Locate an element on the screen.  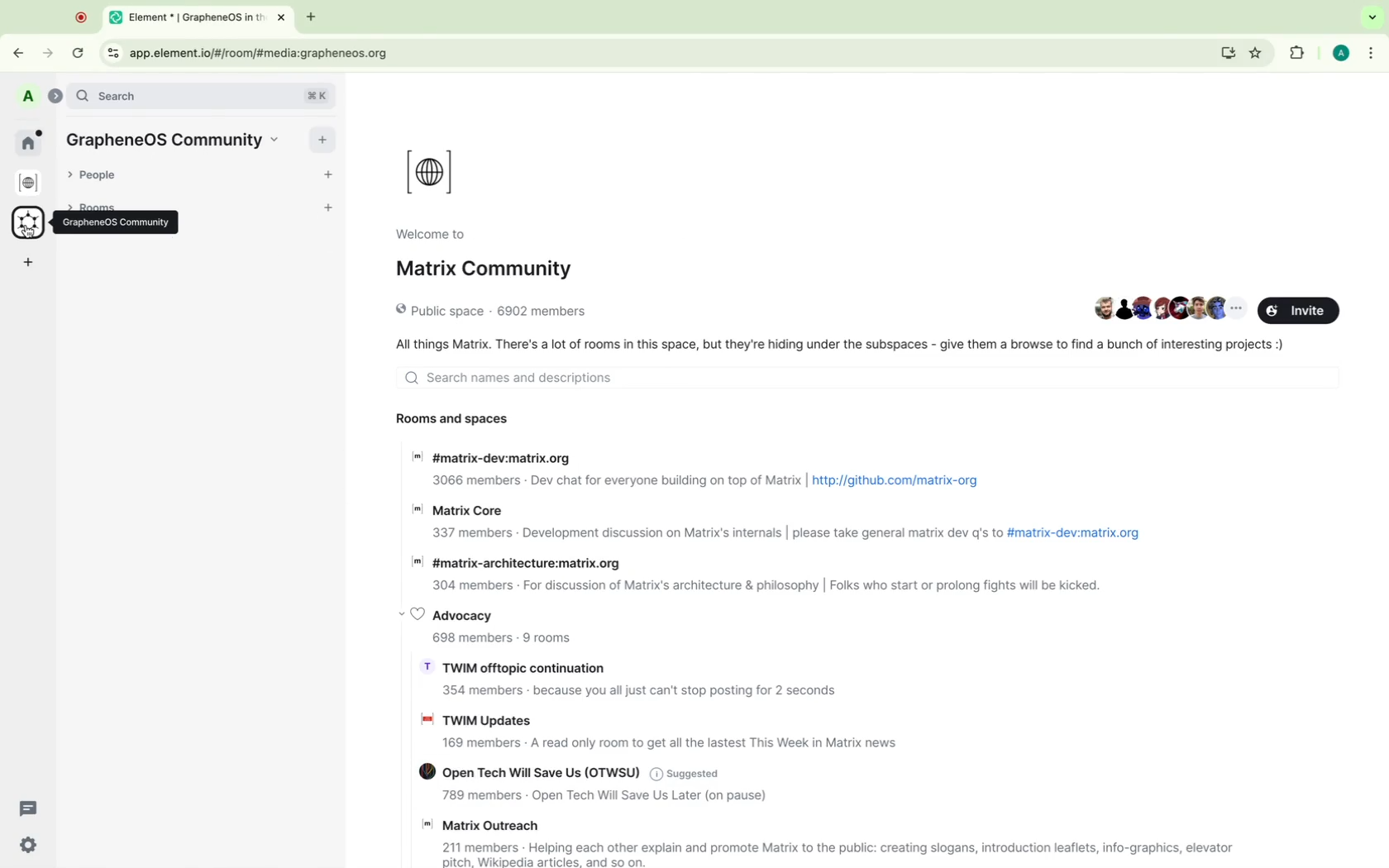
people is located at coordinates (102, 175).